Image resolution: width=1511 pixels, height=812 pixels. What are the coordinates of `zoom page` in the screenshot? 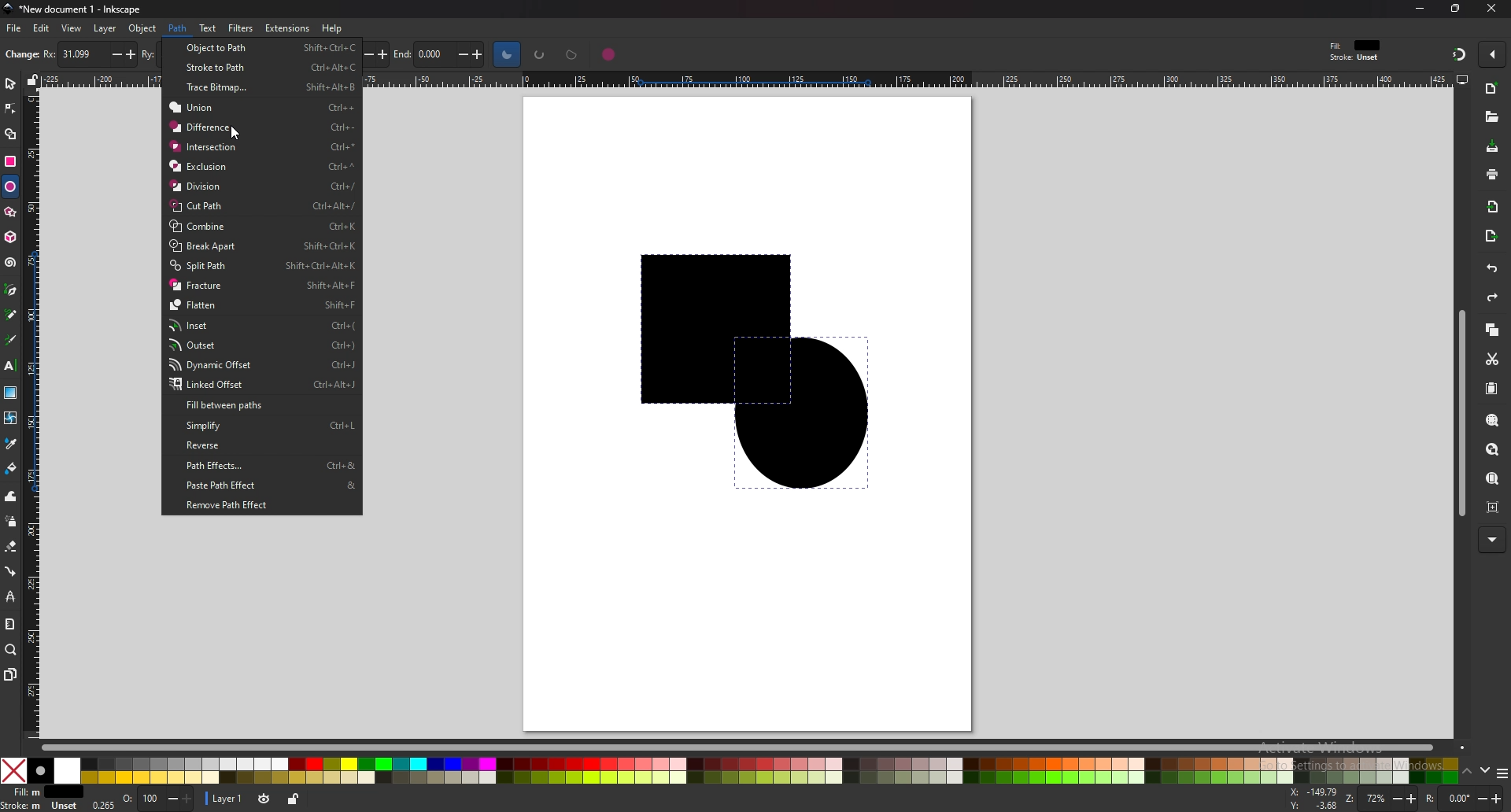 It's located at (1494, 478).